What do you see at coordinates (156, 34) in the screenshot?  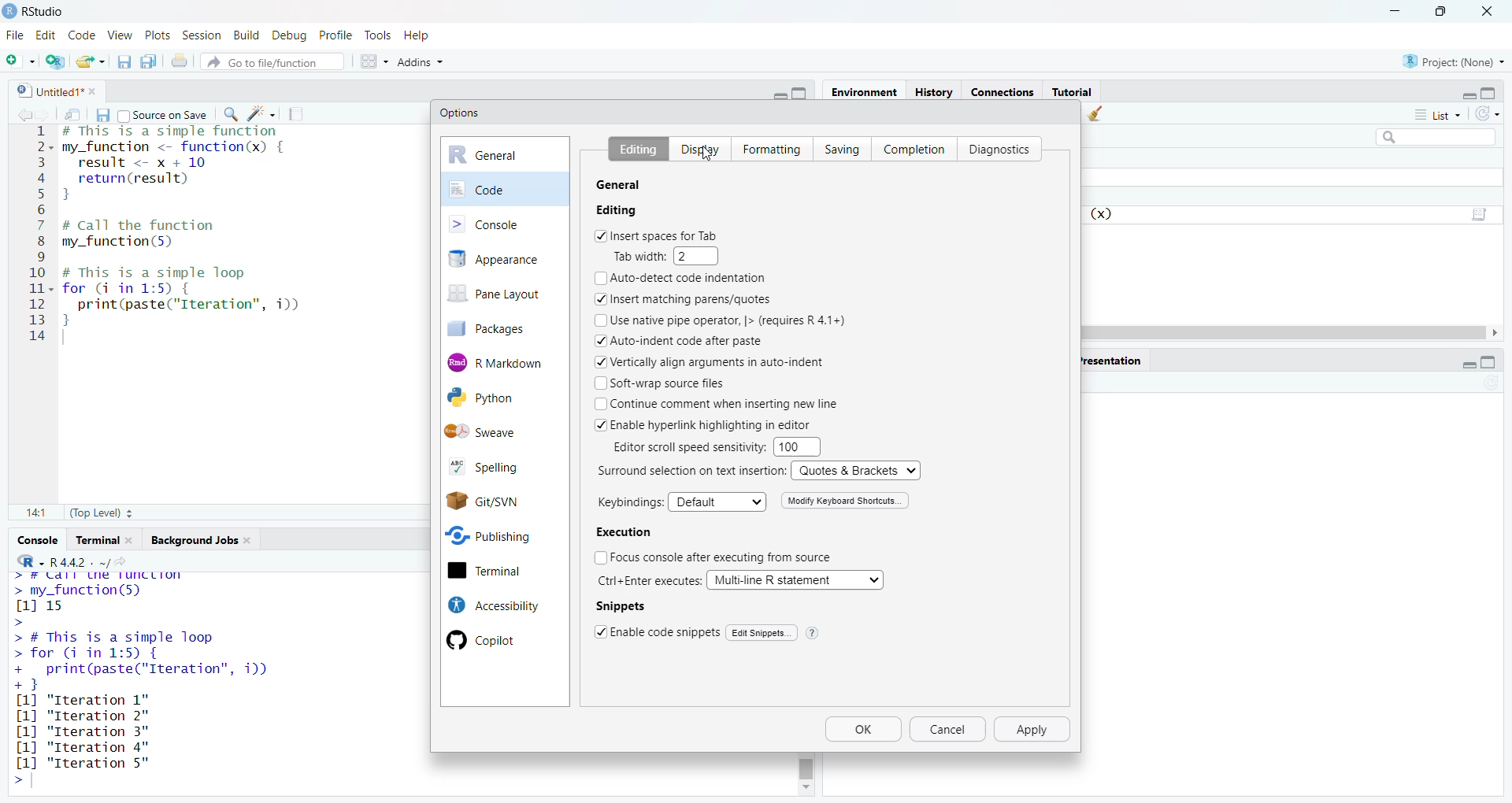 I see `plots` at bounding box center [156, 34].